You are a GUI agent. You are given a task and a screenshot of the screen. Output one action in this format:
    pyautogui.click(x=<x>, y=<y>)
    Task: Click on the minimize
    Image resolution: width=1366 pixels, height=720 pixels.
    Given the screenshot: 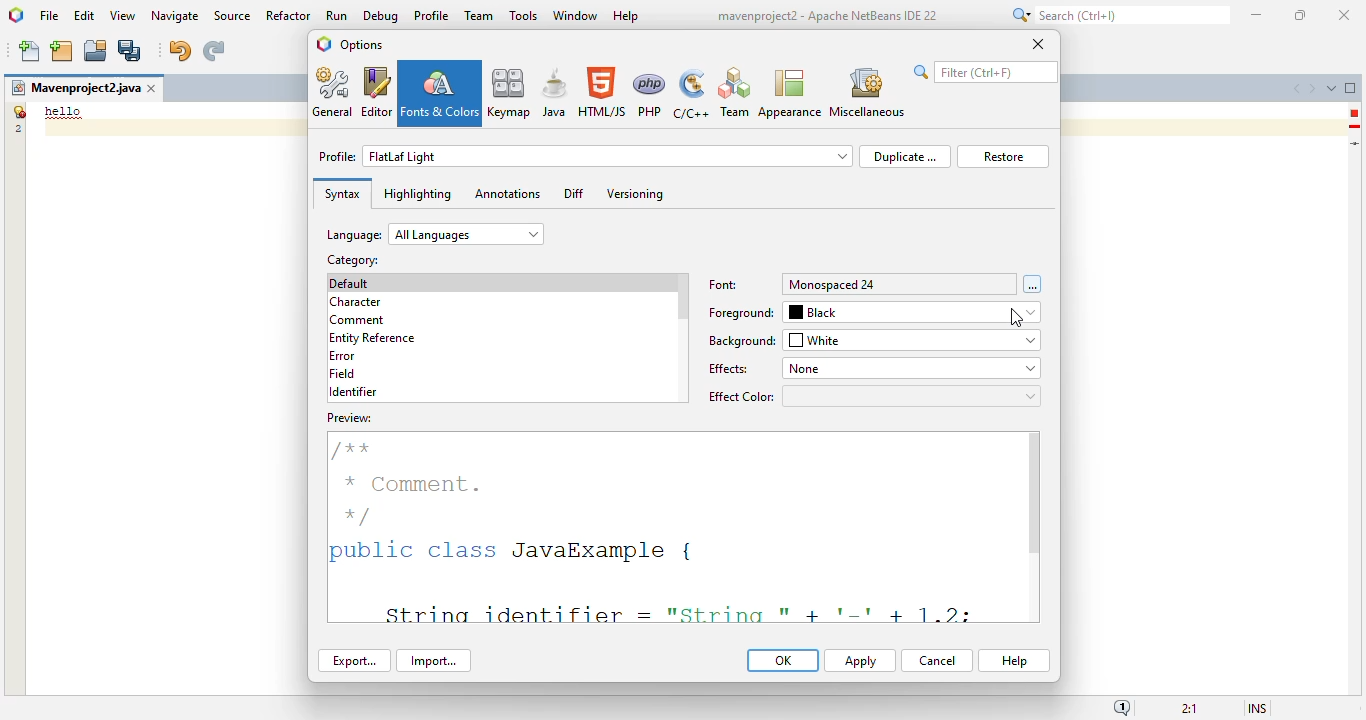 What is the action you would take?
    pyautogui.click(x=1258, y=15)
    